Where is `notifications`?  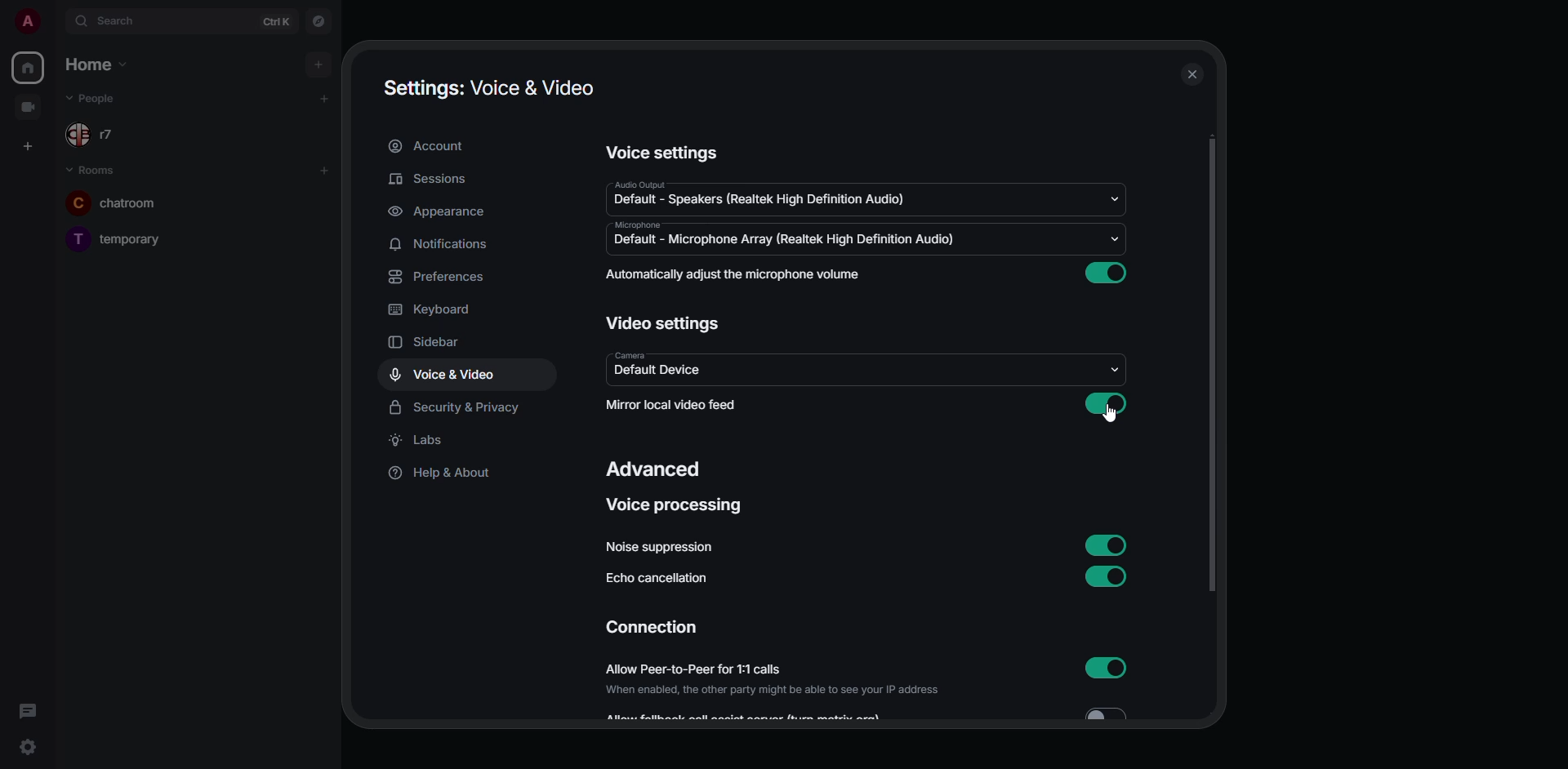
notifications is located at coordinates (442, 244).